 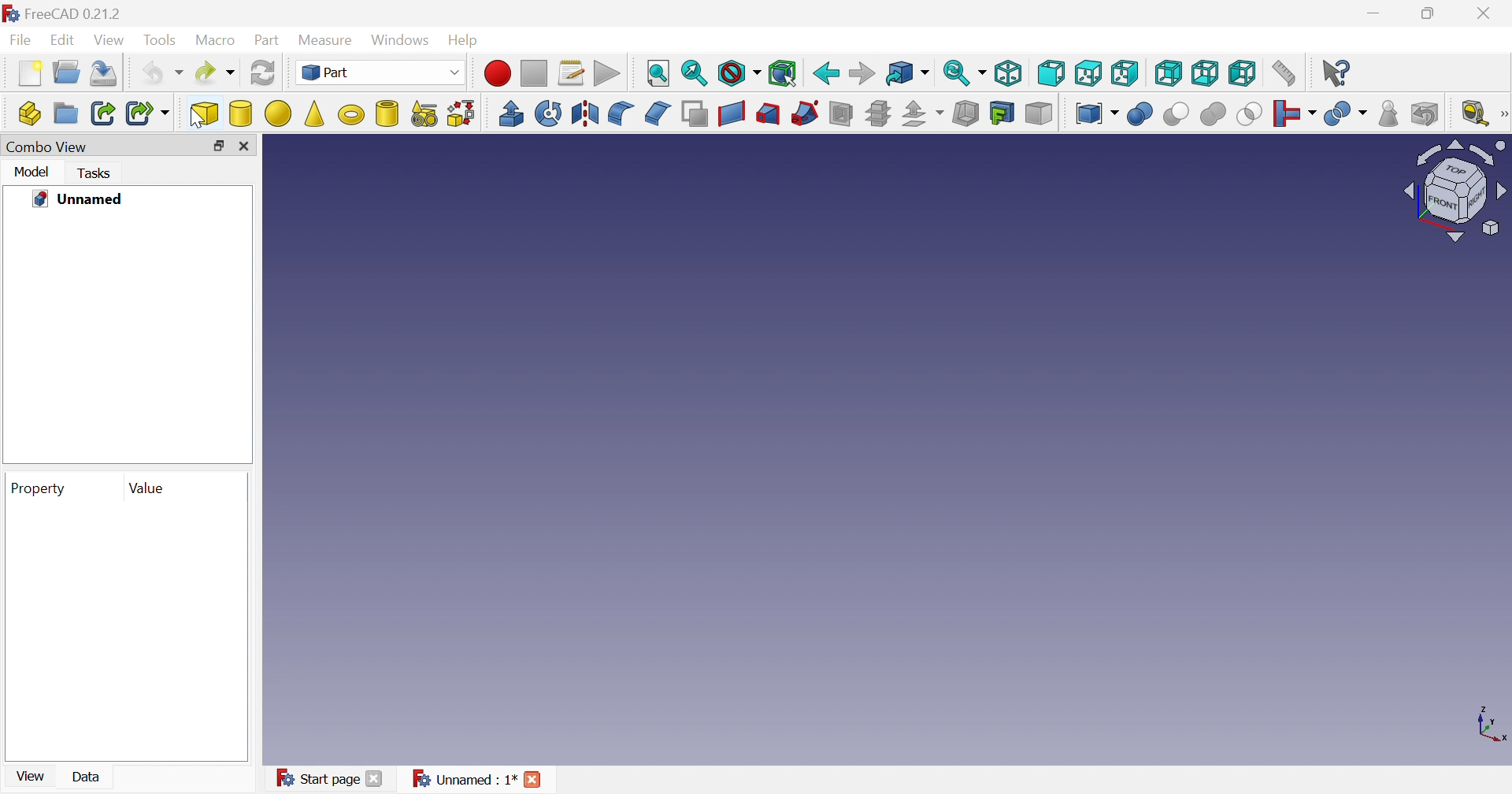 What do you see at coordinates (839, 113) in the screenshot?
I see `Section` at bounding box center [839, 113].